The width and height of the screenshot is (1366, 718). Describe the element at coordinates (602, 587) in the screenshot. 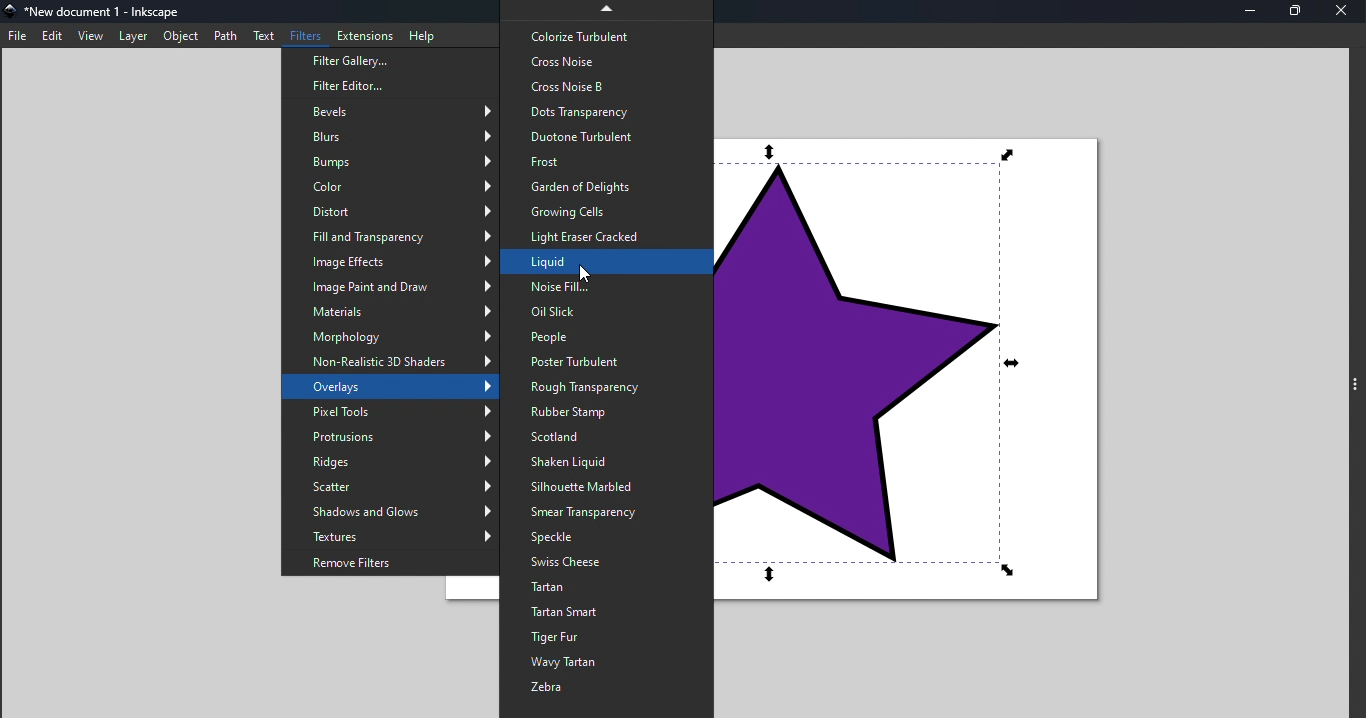

I see `Tartan` at that location.